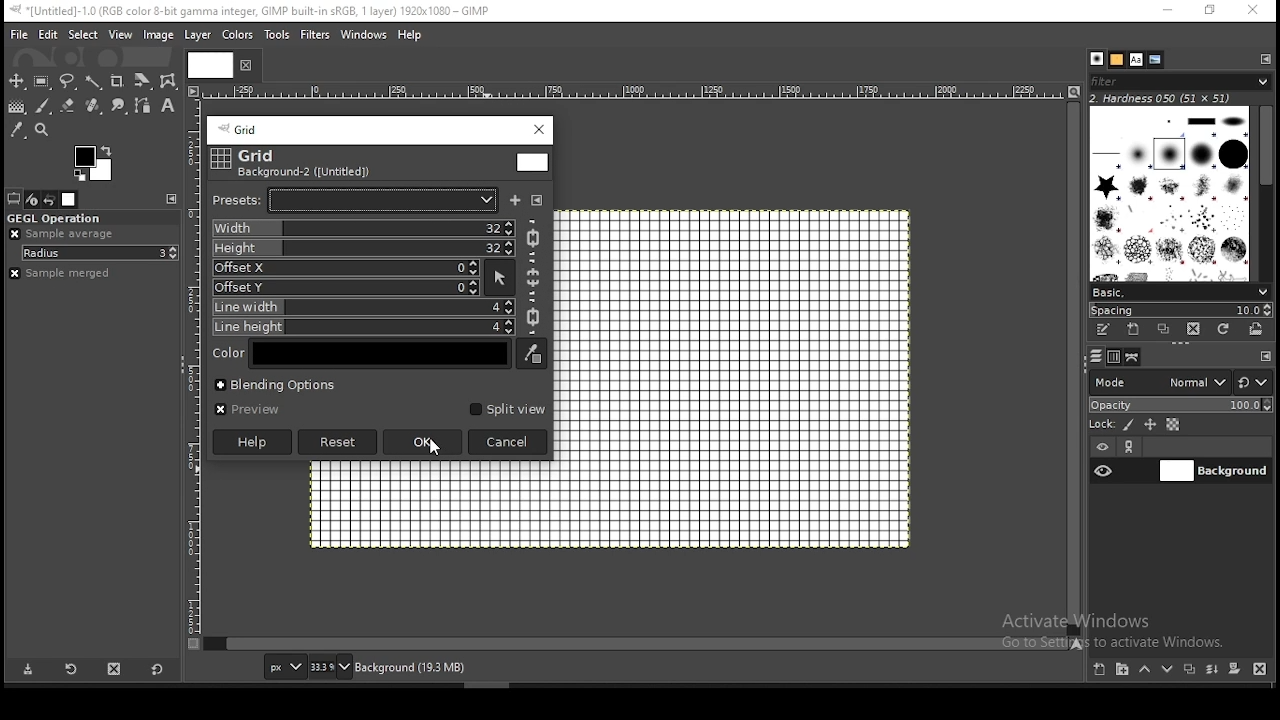  Describe the element at coordinates (412, 36) in the screenshot. I see `help` at that location.